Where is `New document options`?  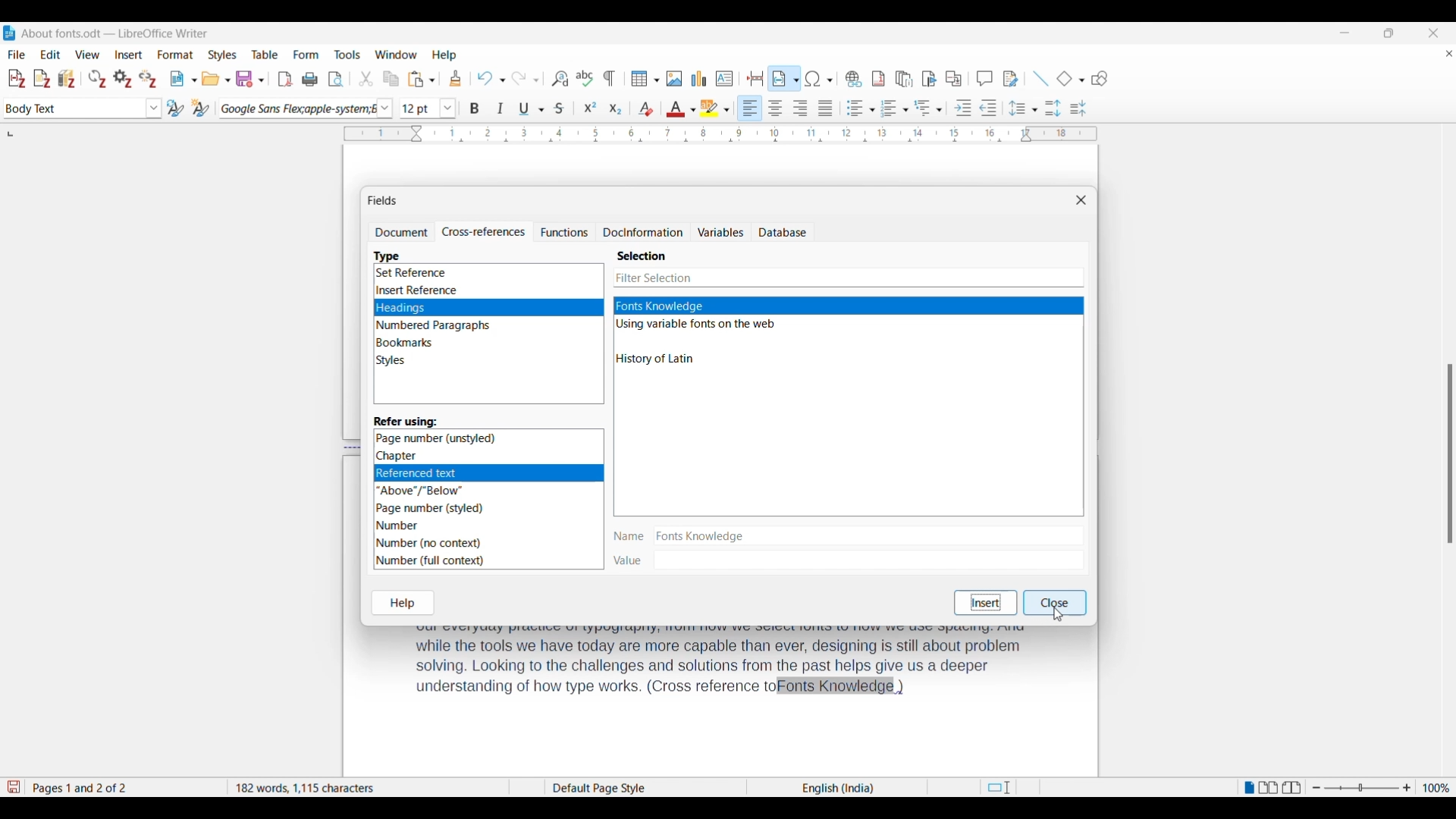 New document options is located at coordinates (184, 79).